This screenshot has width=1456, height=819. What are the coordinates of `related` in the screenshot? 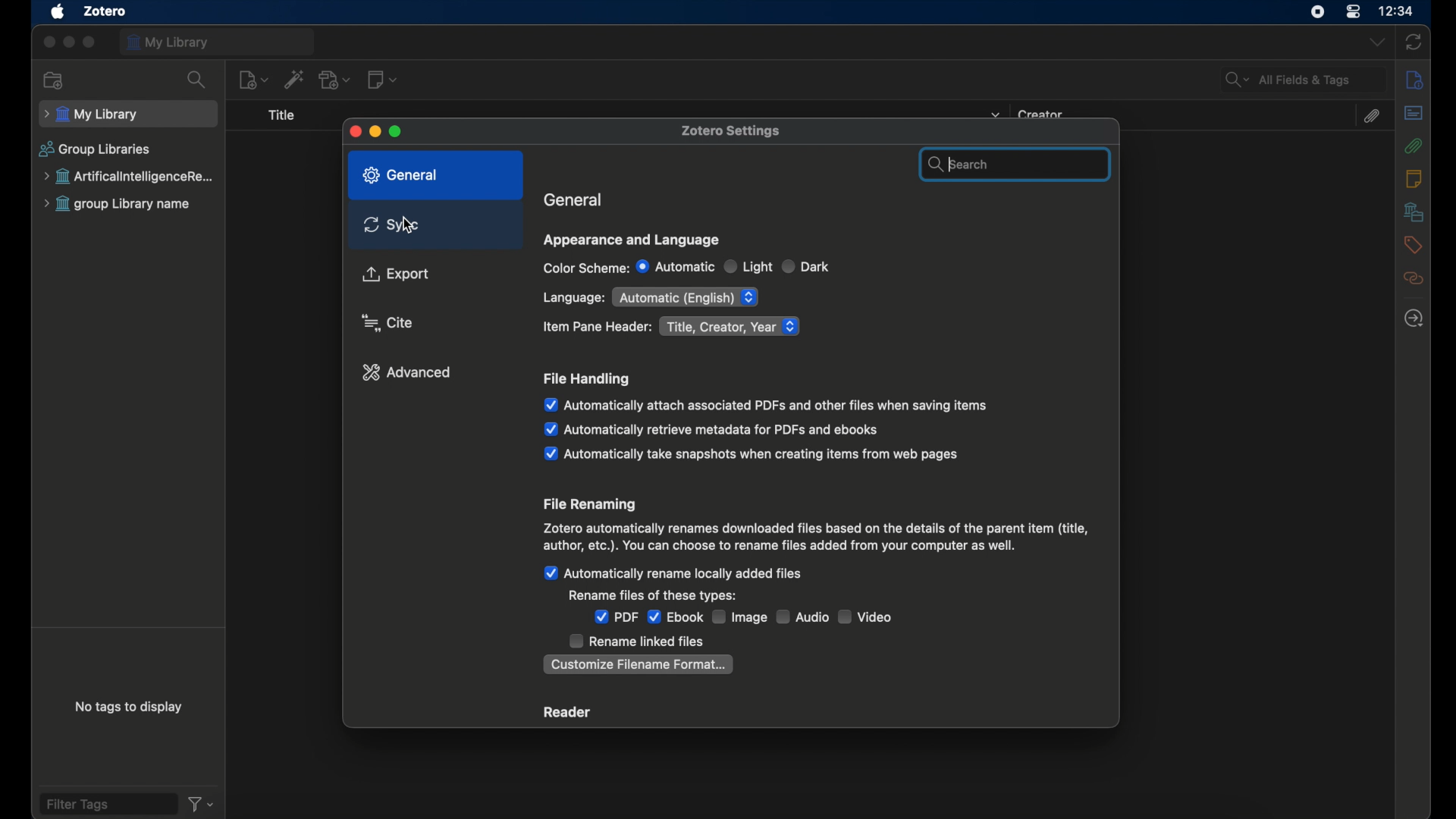 It's located at (1413, 279).